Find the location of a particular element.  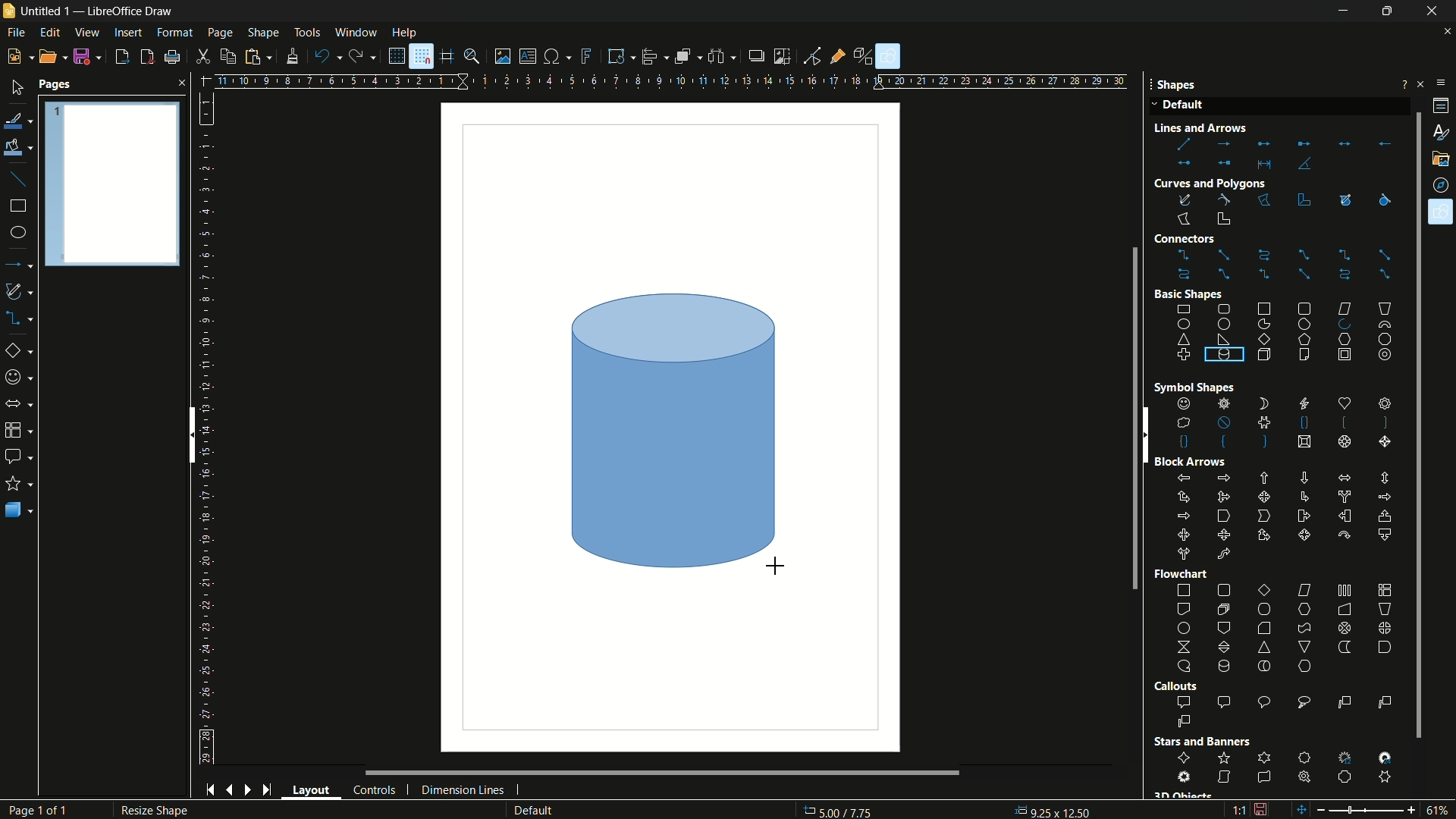

maximize or restore is located at coordinates (1391, 11).